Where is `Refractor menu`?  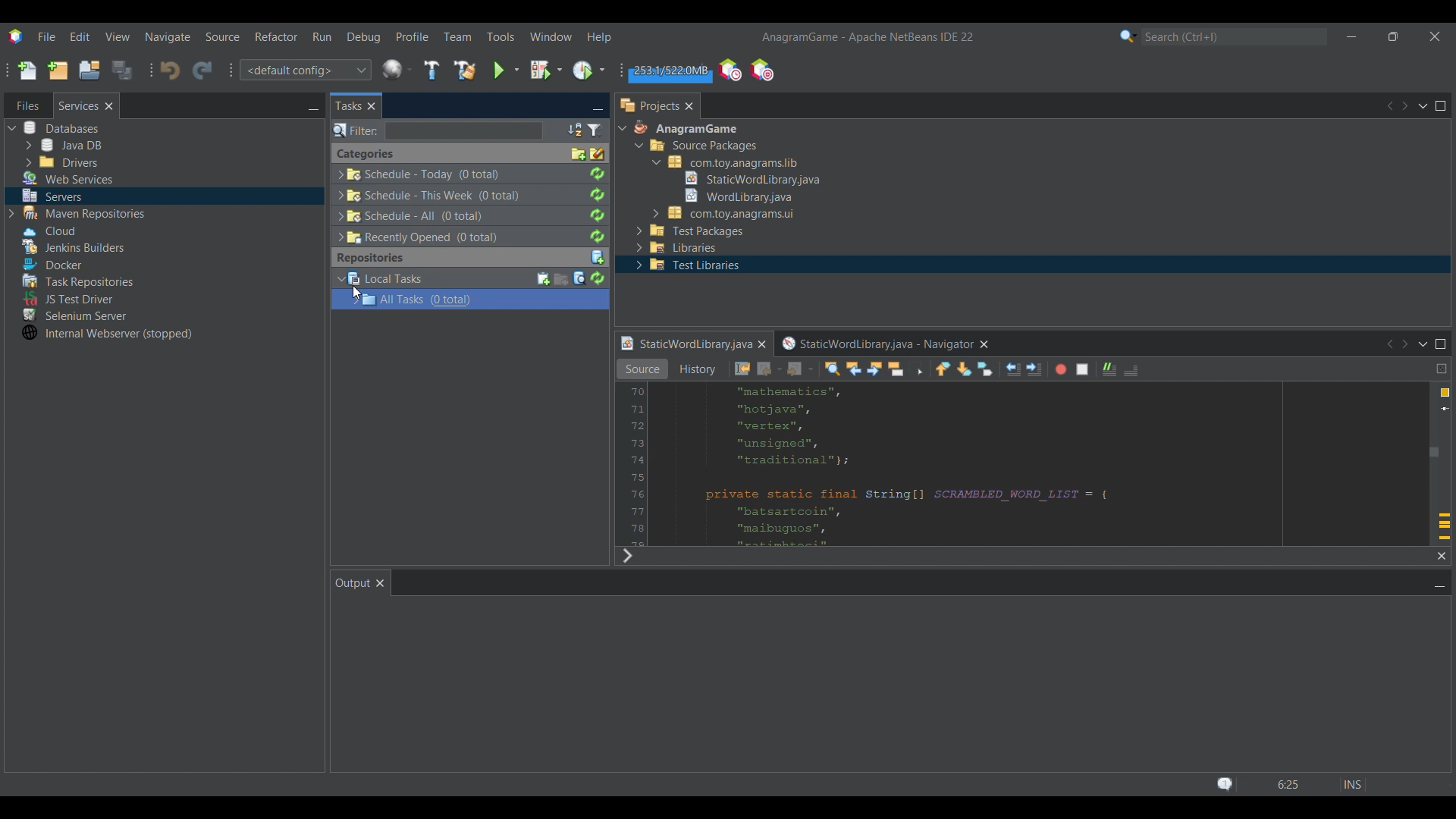
Refractor menu is located at coordinates (277, 36).